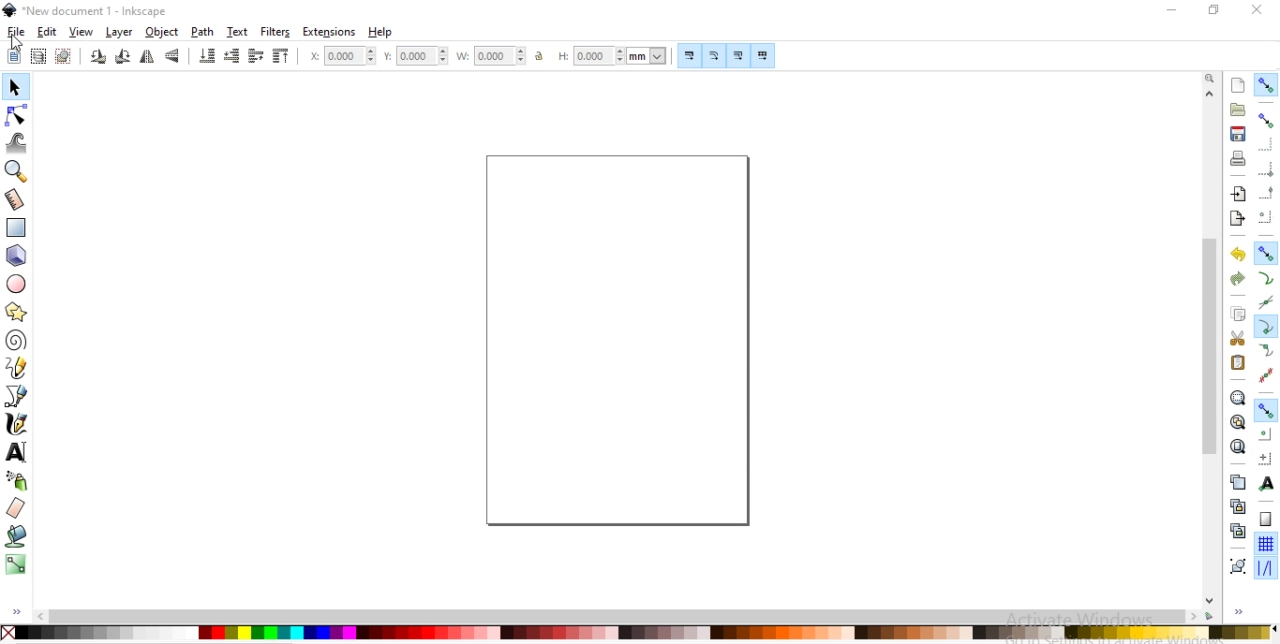 The image size is (1280, 644). What do you see at coordinates (1236, 506) in the screenshot?
I see `create a clone` at bounding box center [1236, 506].